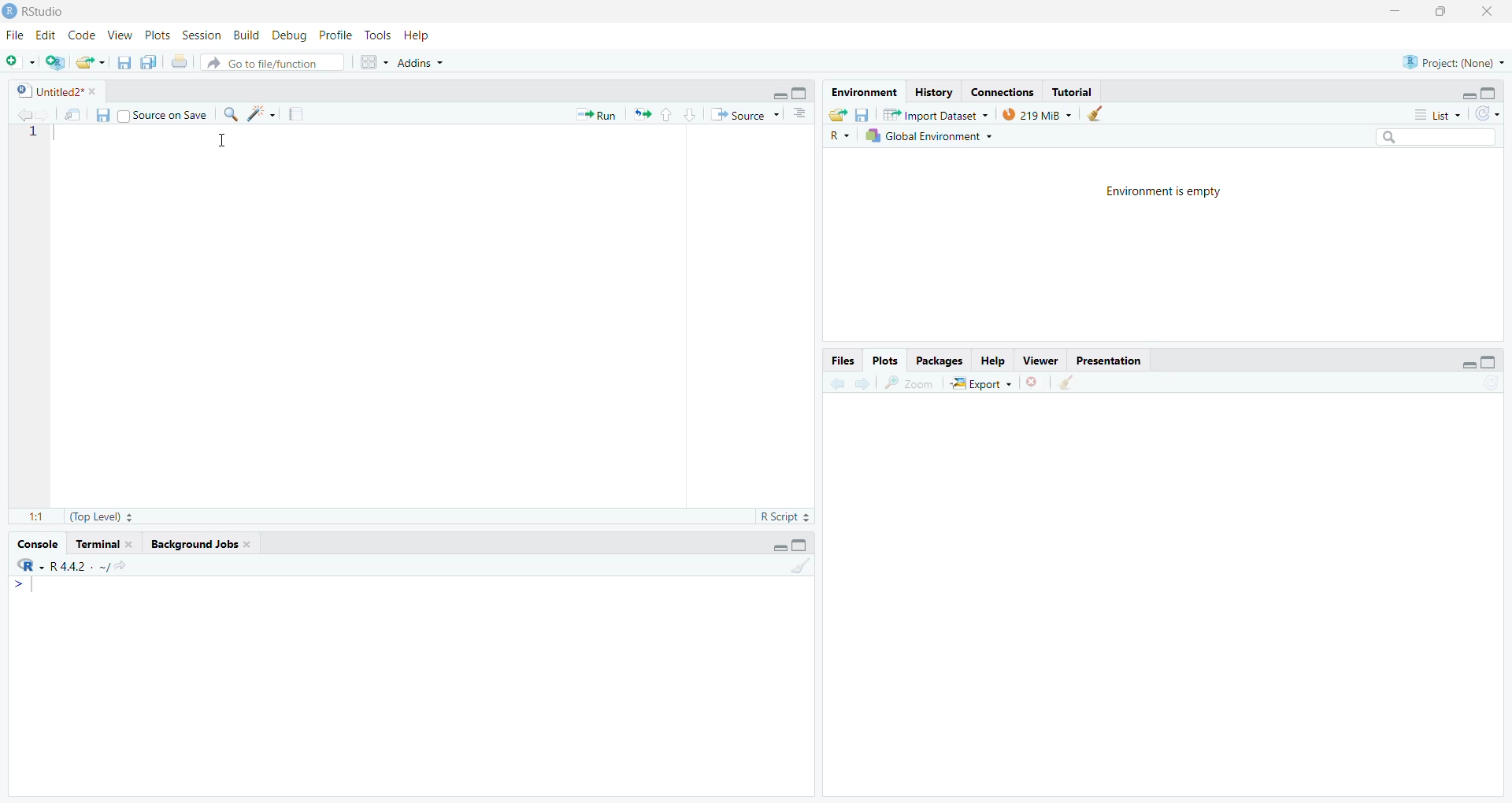  What do you see at coordinates (163, 113) in the screenshot?
I see `Source on Save` at bounding box center [163, 113].